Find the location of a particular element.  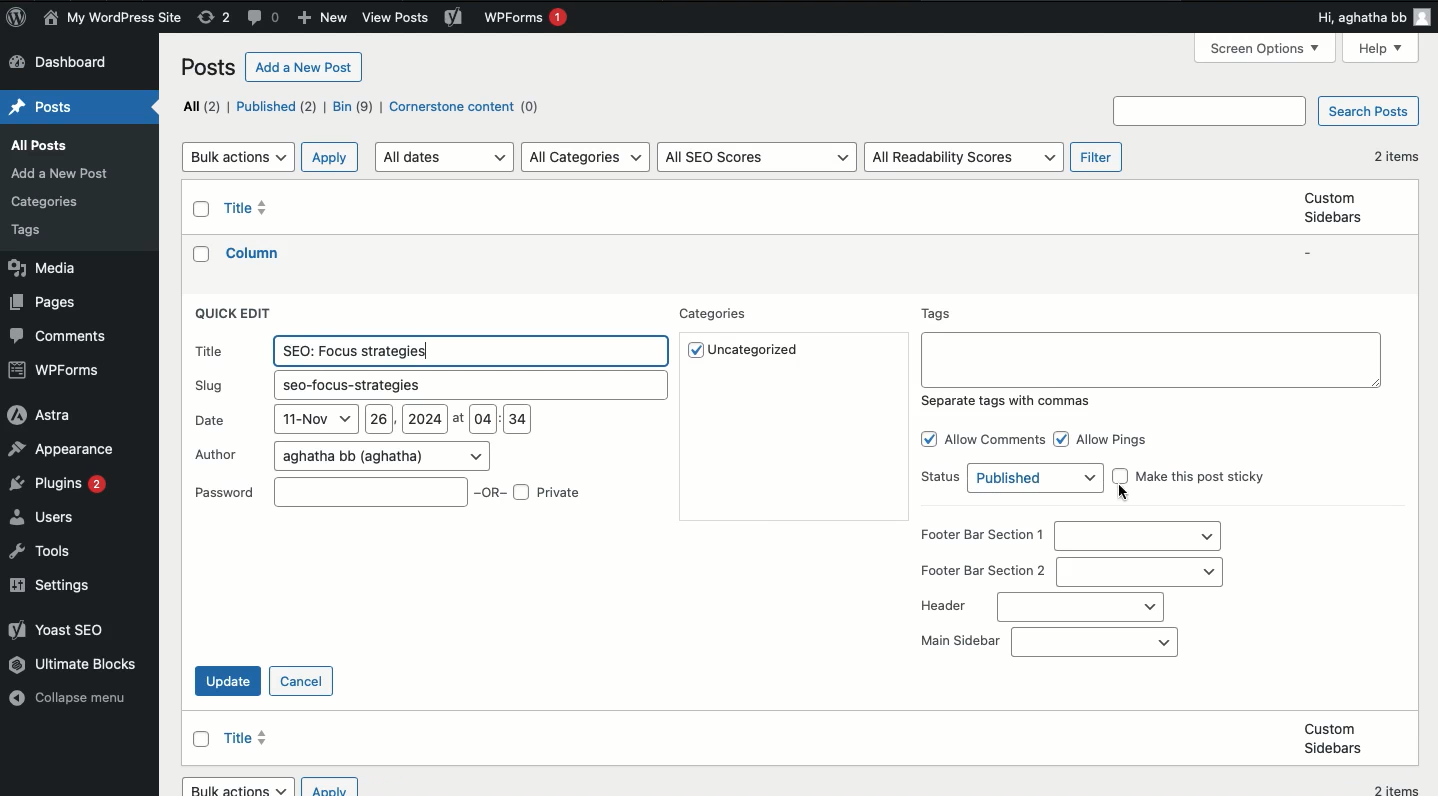

OR Private is located at coordinates (563, 493).